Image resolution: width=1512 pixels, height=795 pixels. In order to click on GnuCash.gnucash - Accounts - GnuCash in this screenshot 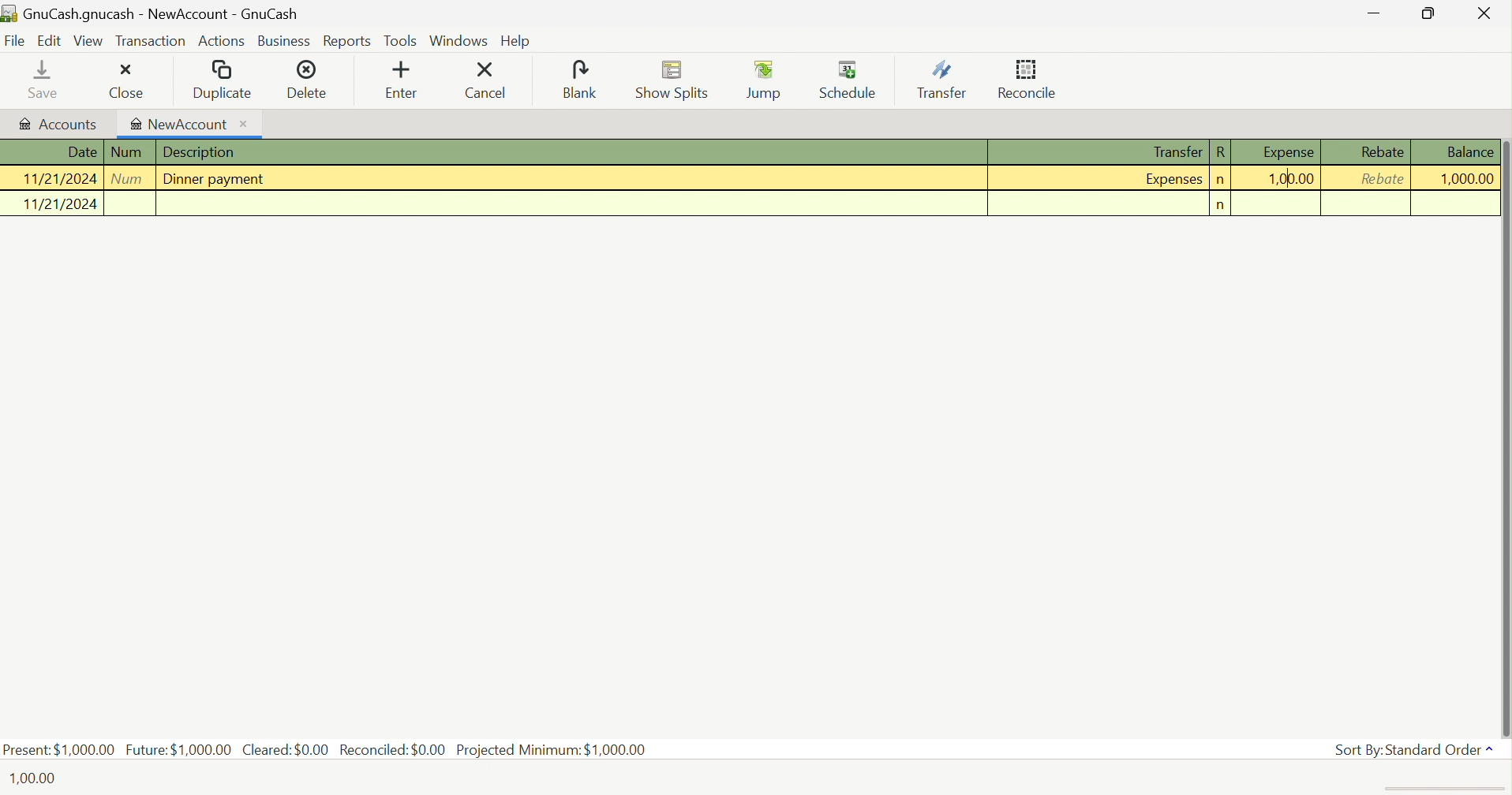, I will do `click(149, 12)`.